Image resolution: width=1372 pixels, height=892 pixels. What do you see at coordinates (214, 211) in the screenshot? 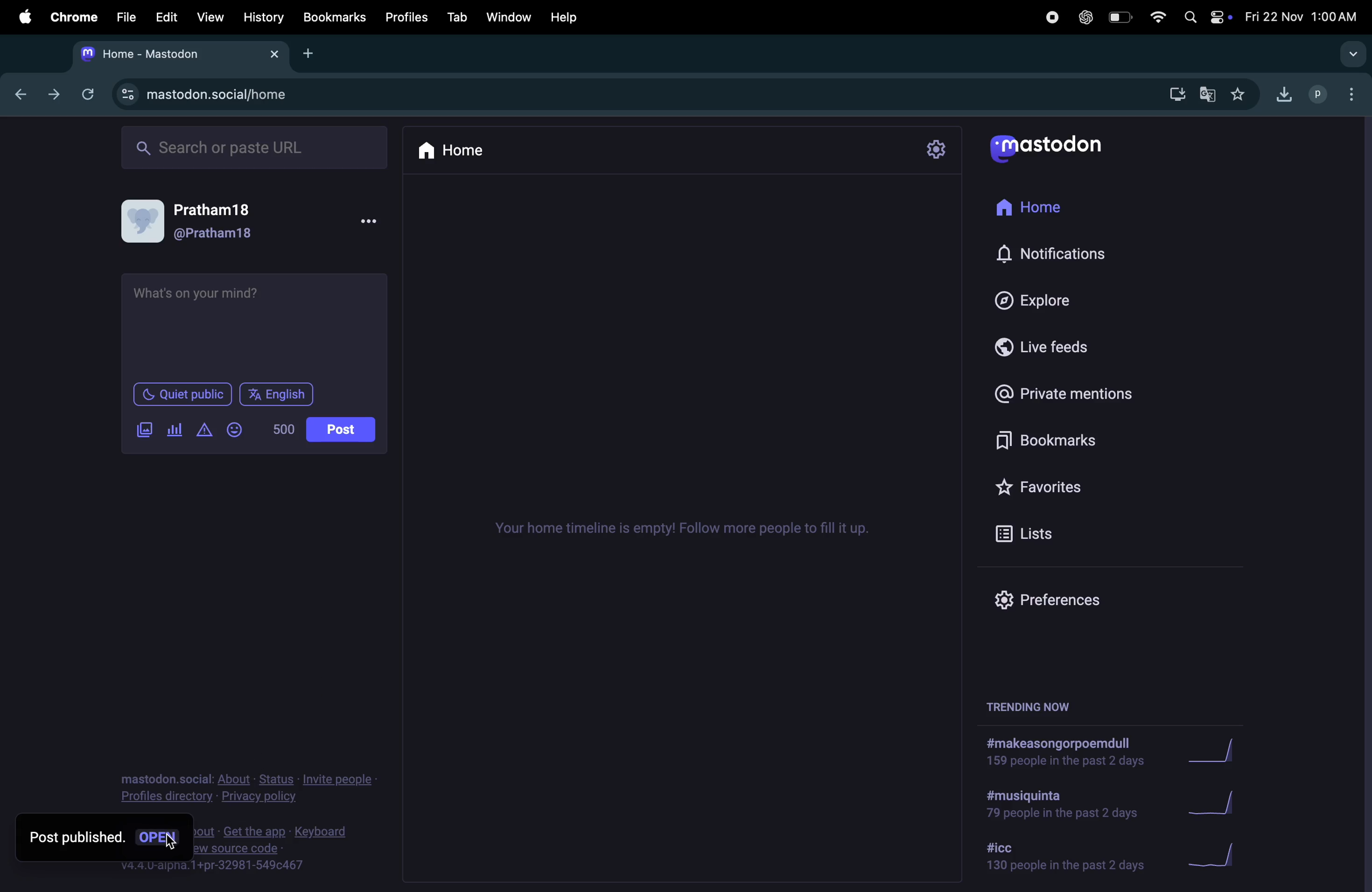
I see `Pratham18` at bounding box center [214, 211].